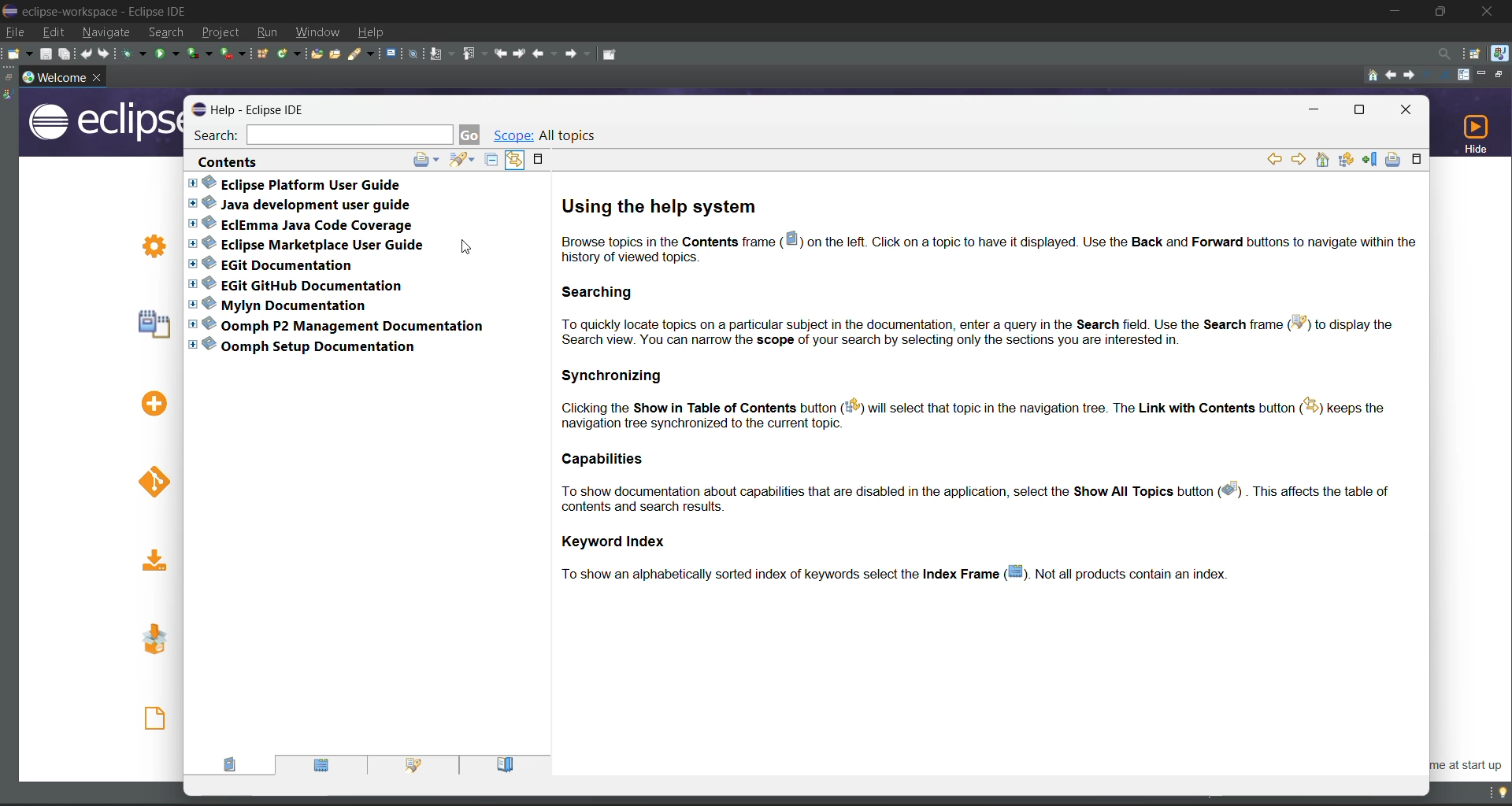 This screenshot has width=1512, height=806. Describe the element at coordinates (577, 54) in the screenshot. I see `forward` at that location.